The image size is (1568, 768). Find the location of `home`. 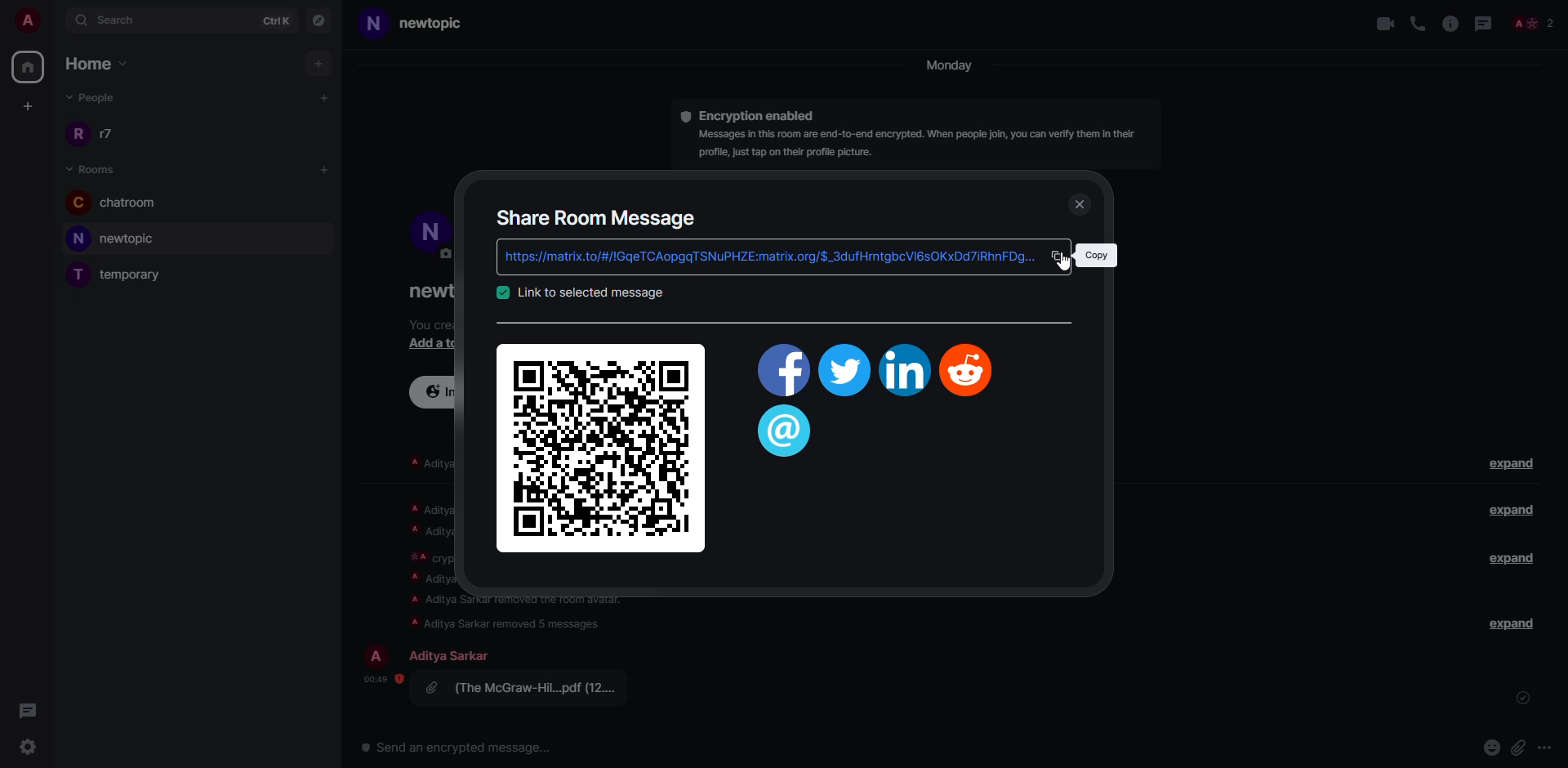

home is located at coordinates (105, 65).